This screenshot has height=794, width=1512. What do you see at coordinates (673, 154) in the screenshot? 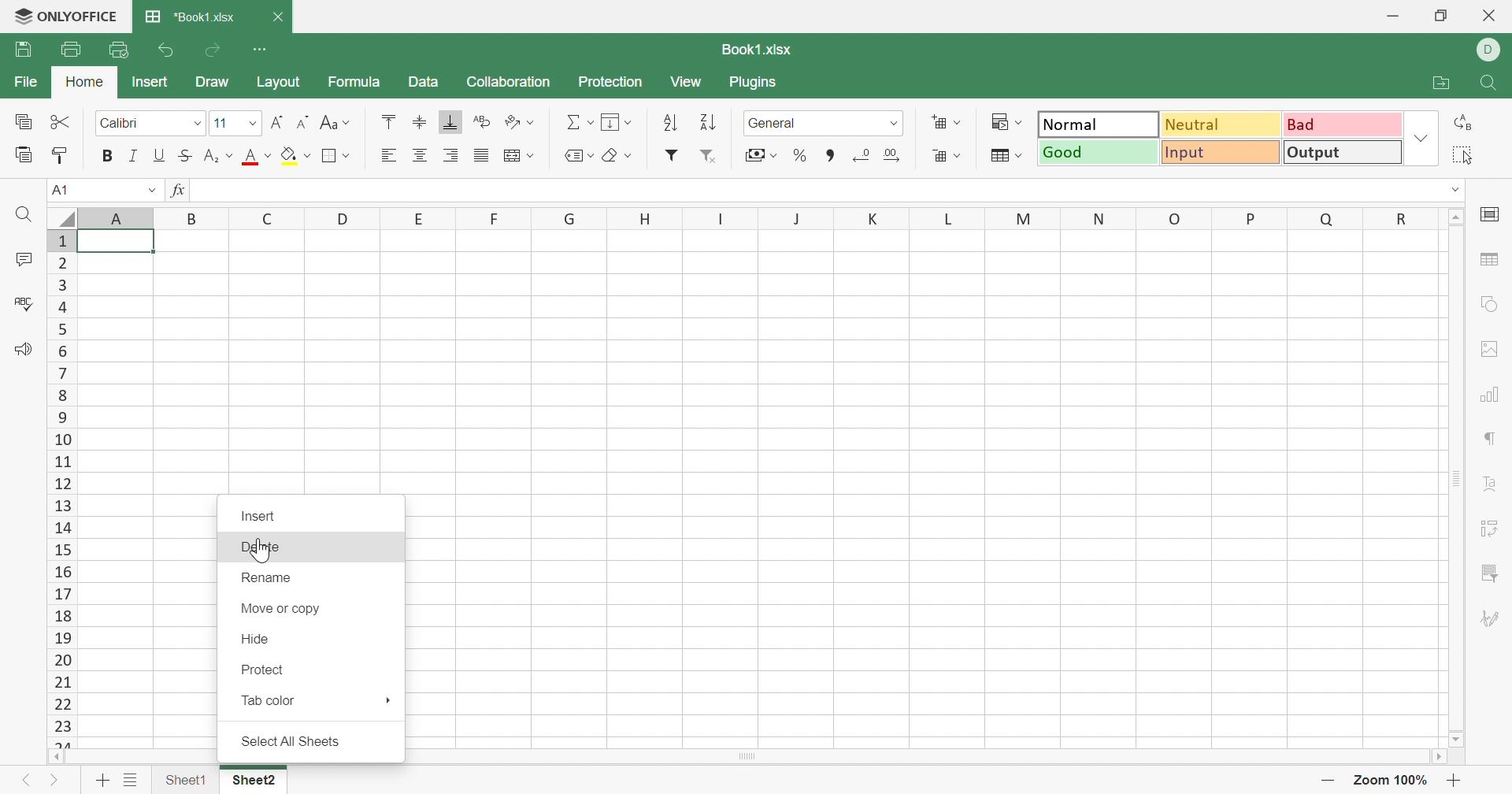
I see `Add filter` at bounding box center [673, 154].